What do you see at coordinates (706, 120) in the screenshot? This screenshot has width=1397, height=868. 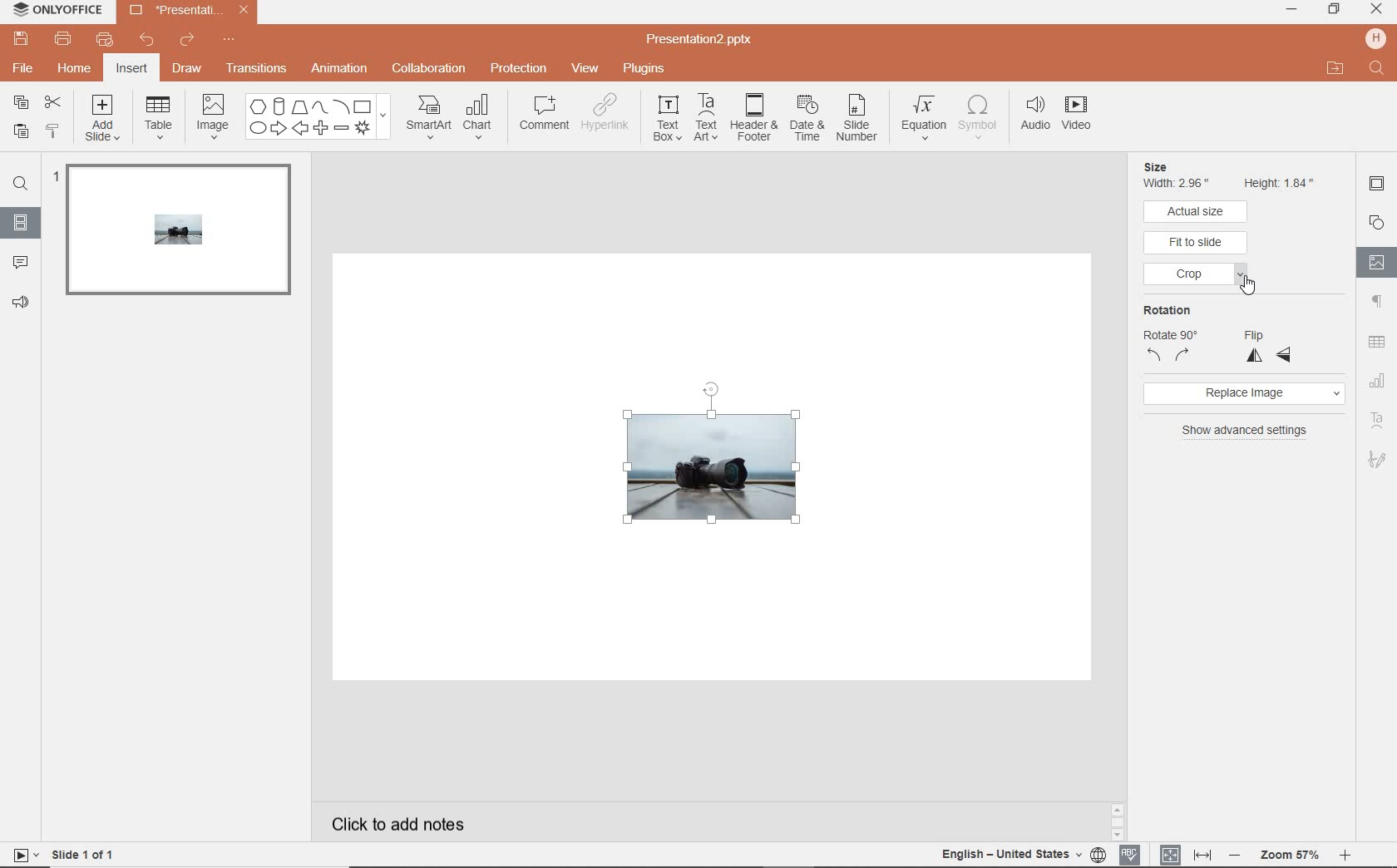 I see `text art` at bounding box center [706, 120].